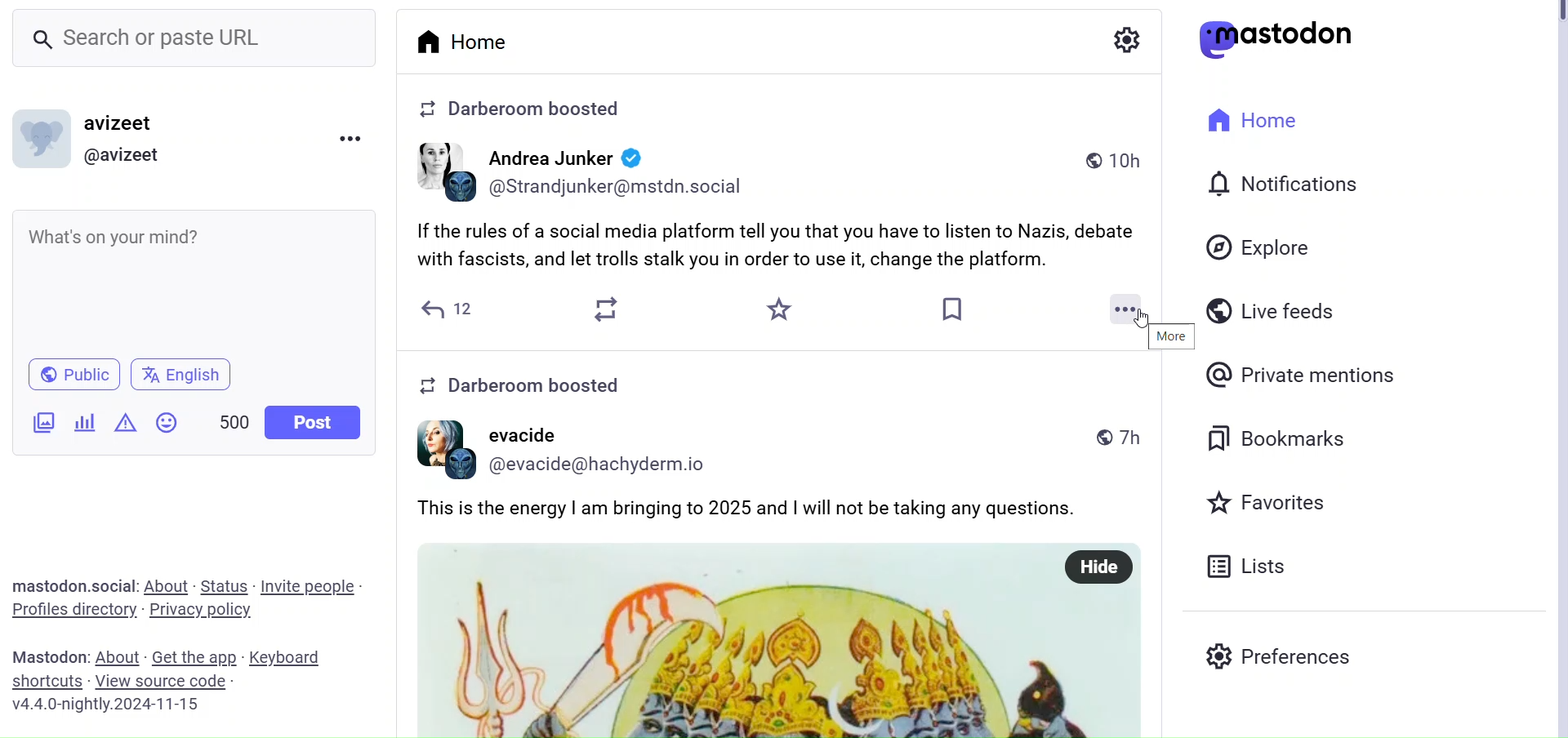 The width and height of the screenshot is (1568, 738). What do you see at coordinates (118, 657) in the screenshot?
I see `About` at bounding box center [118, 657].